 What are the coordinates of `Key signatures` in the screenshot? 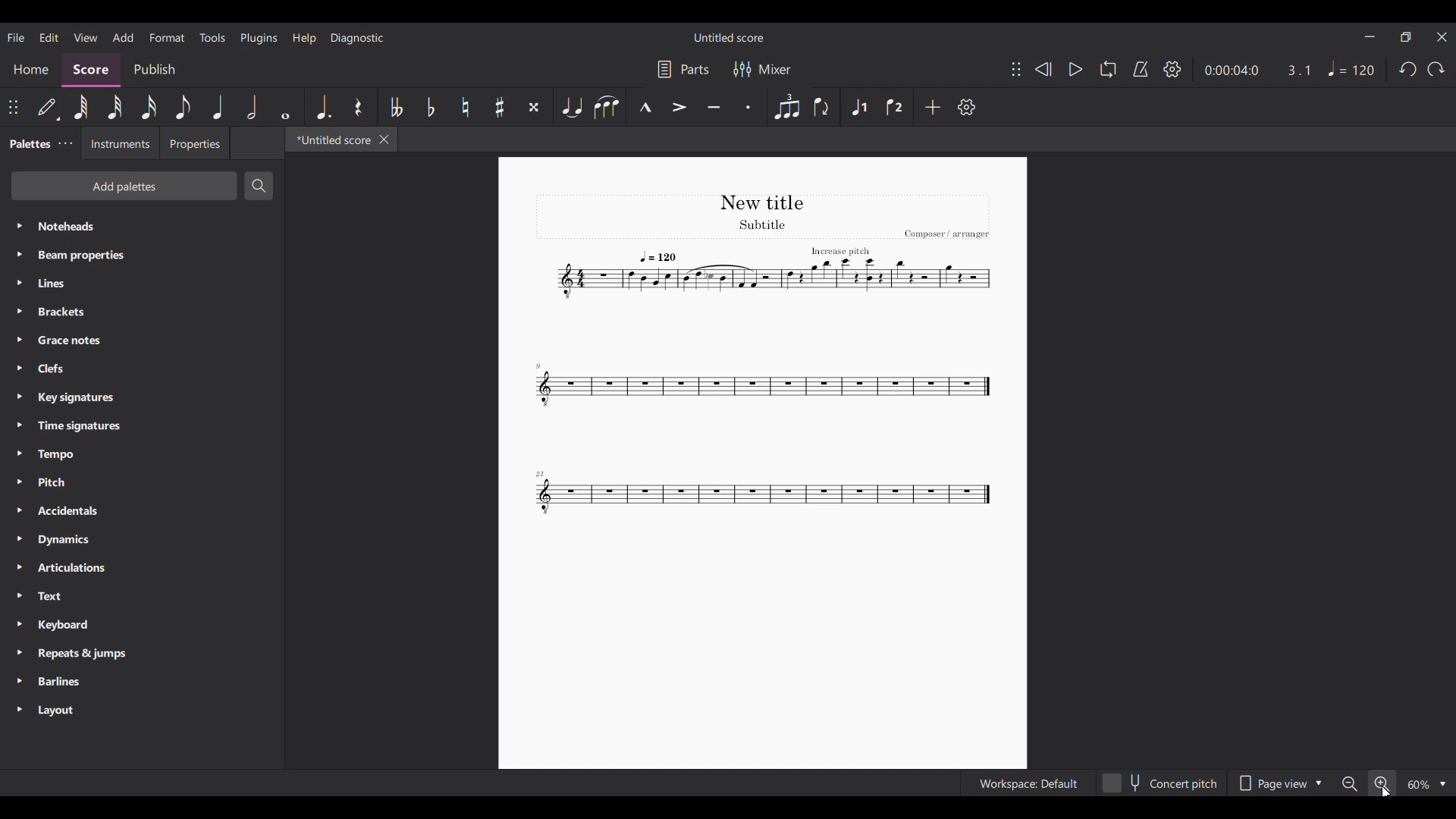 It's located at (142, 398).